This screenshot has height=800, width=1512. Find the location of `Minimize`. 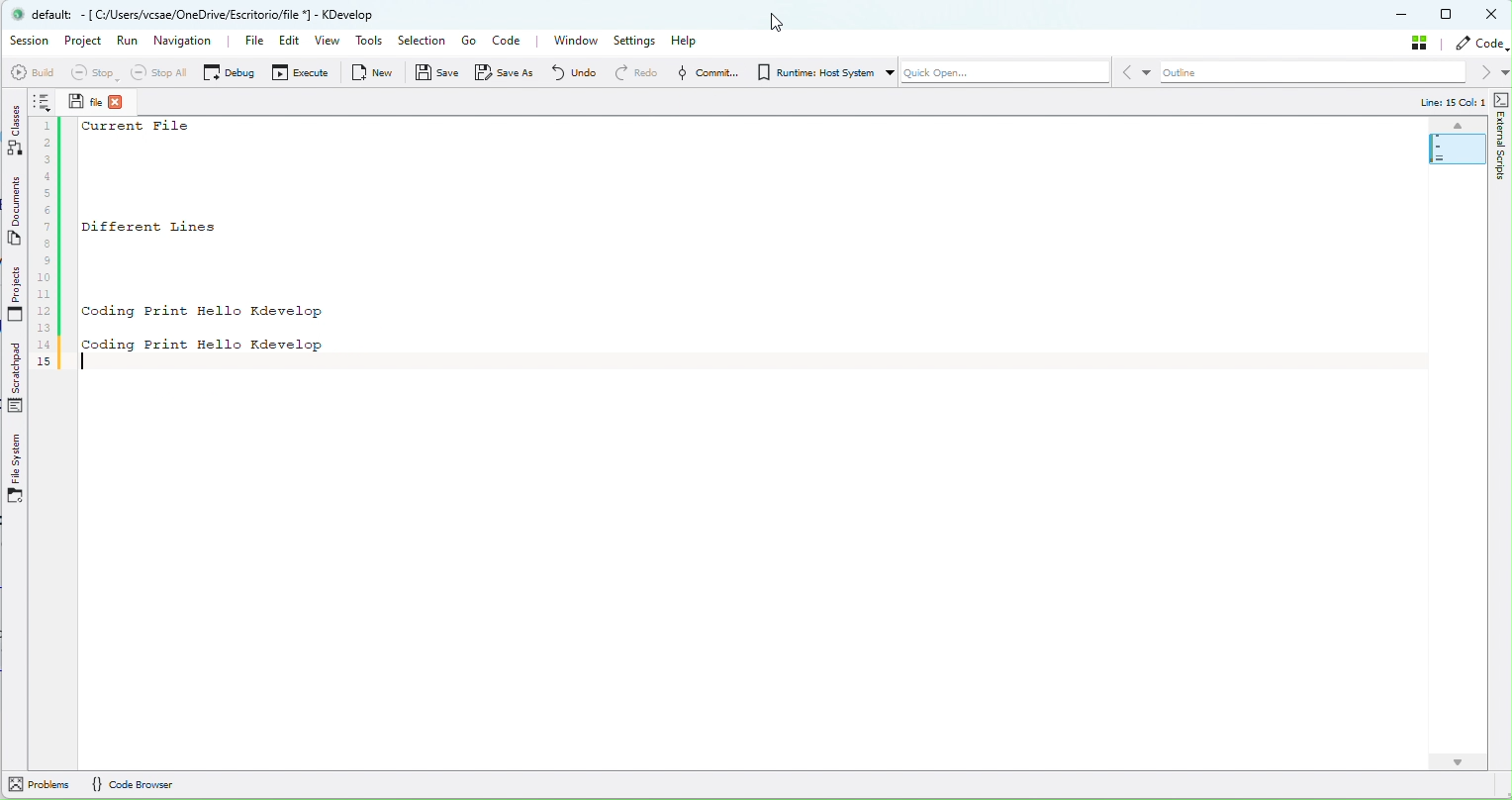

Minimize is located at coordinates (1403, 16).